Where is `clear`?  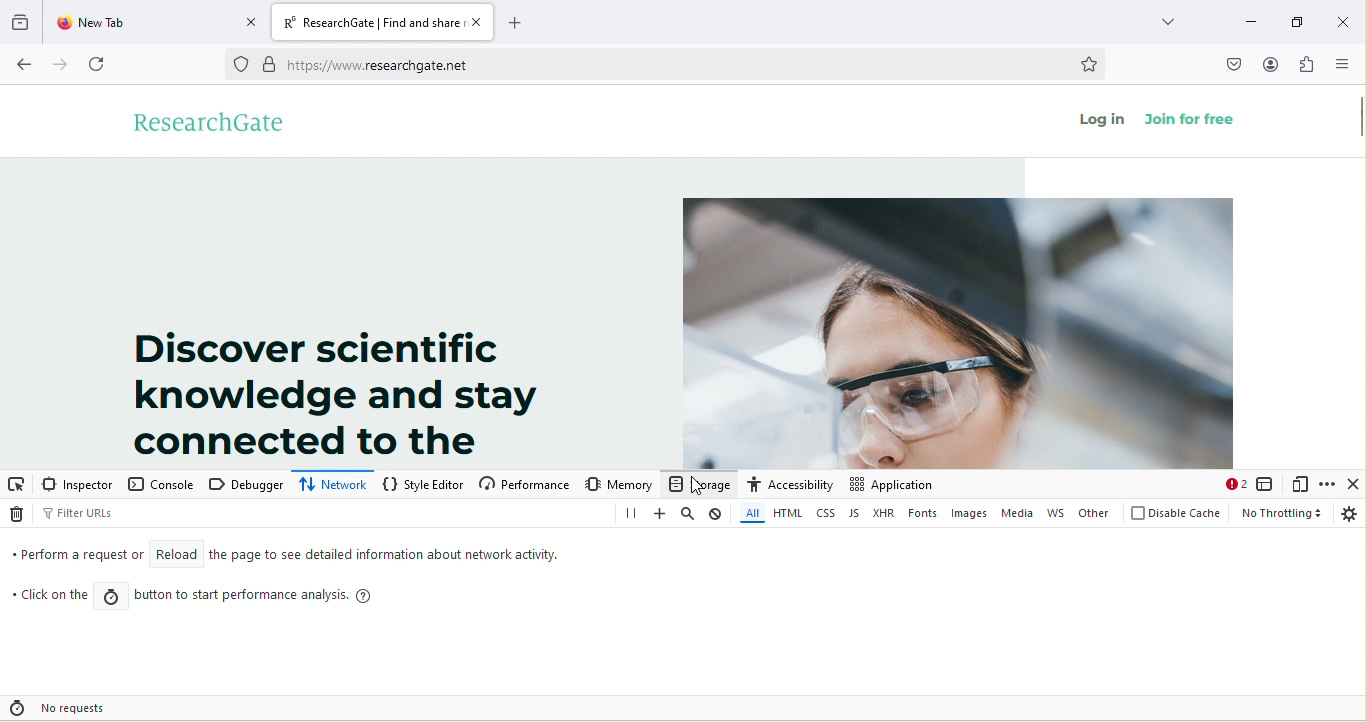 clear is located at coordinates (718, 513).